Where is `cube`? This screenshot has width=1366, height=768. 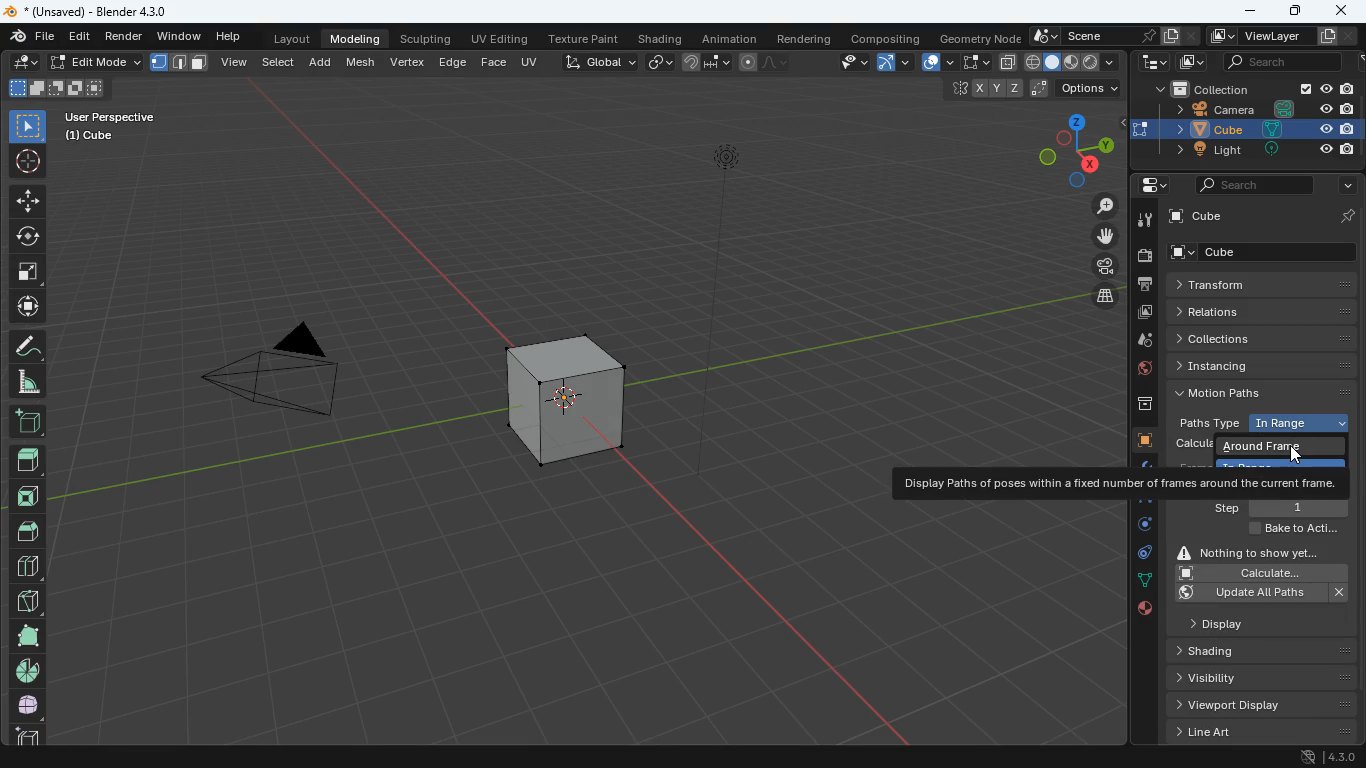
cube is located at coordinates (1268, 252).